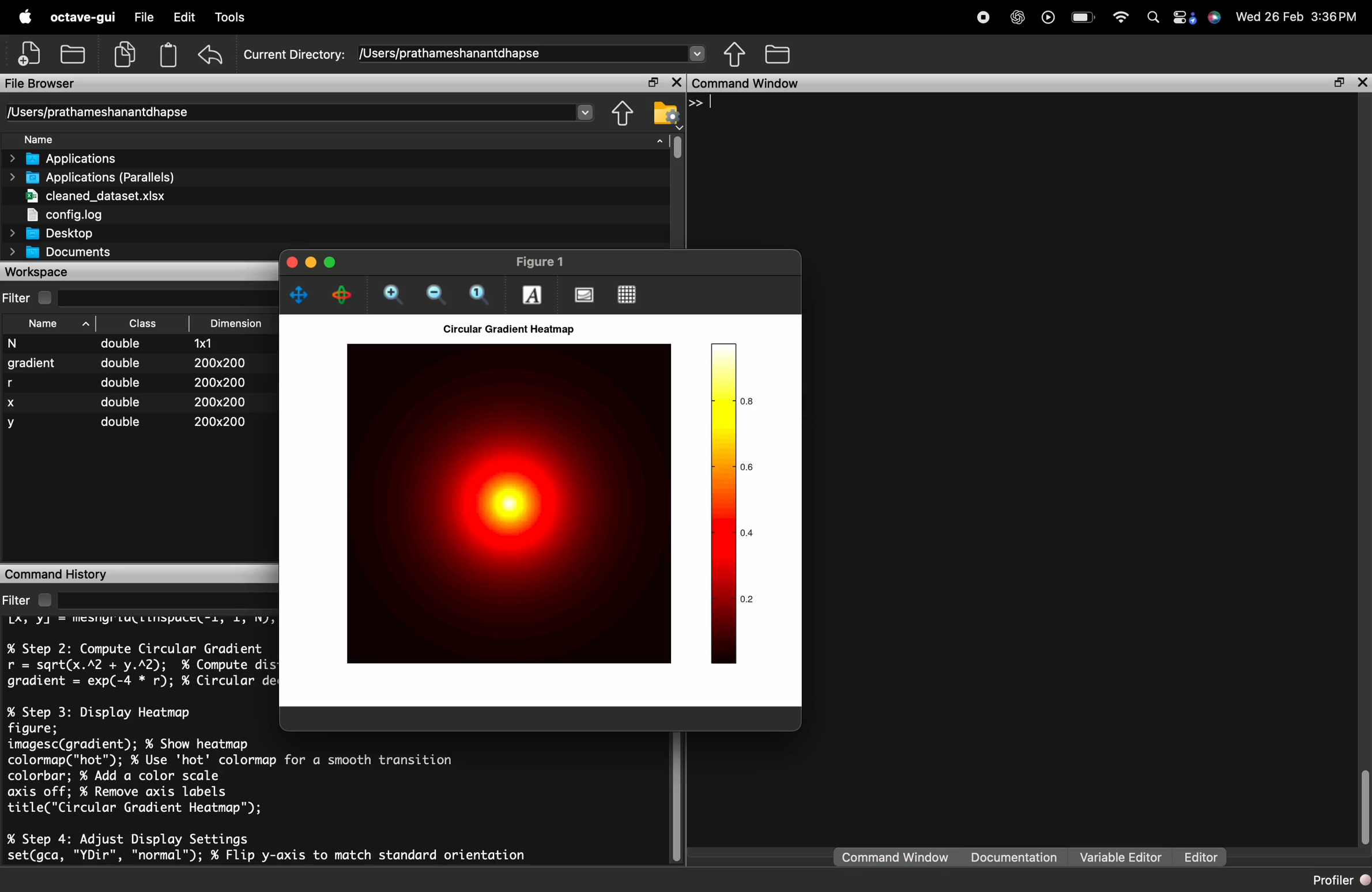 The image size is (1372, 892). I want to click on y, so click(16, 425).